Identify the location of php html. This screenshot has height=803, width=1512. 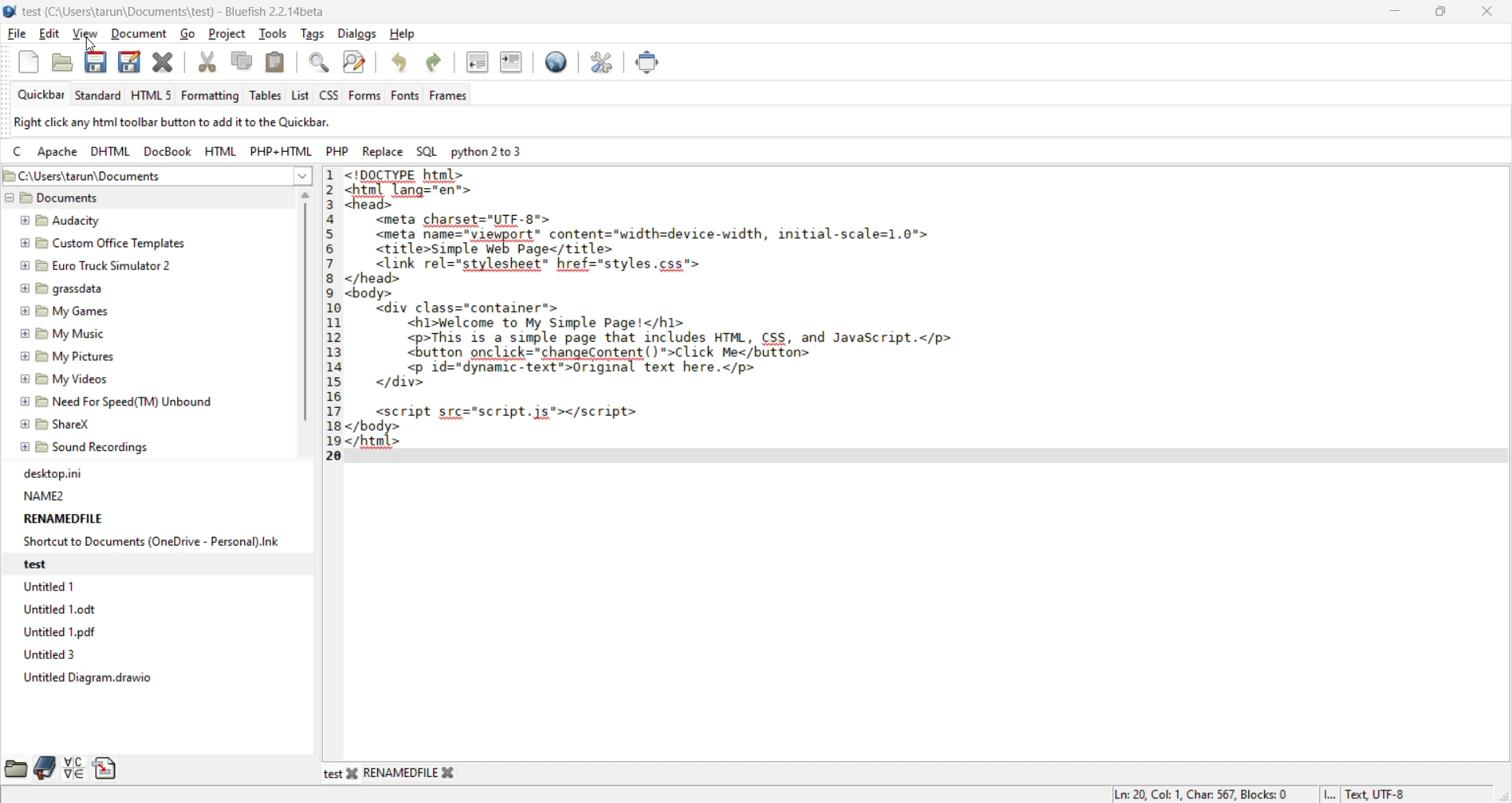
(279, 150).